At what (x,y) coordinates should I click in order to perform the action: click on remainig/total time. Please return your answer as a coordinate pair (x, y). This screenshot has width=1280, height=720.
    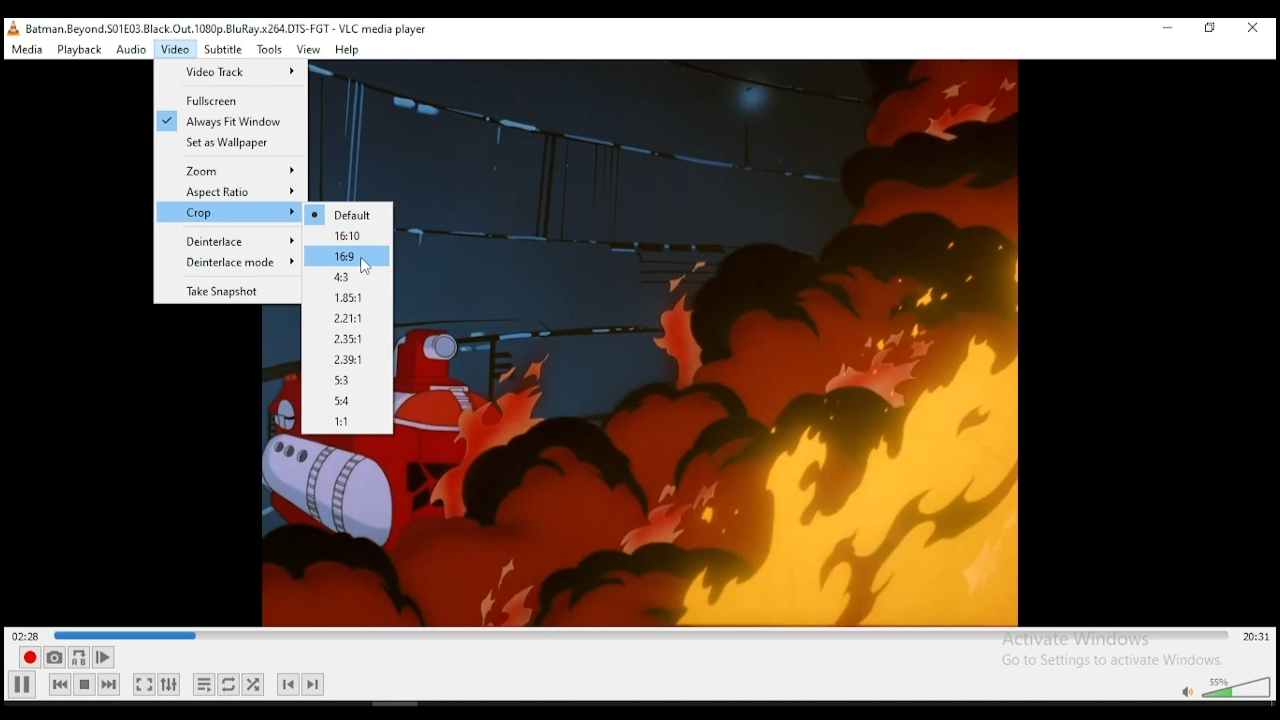
    Looking at the image, I should click on (1252, 638).